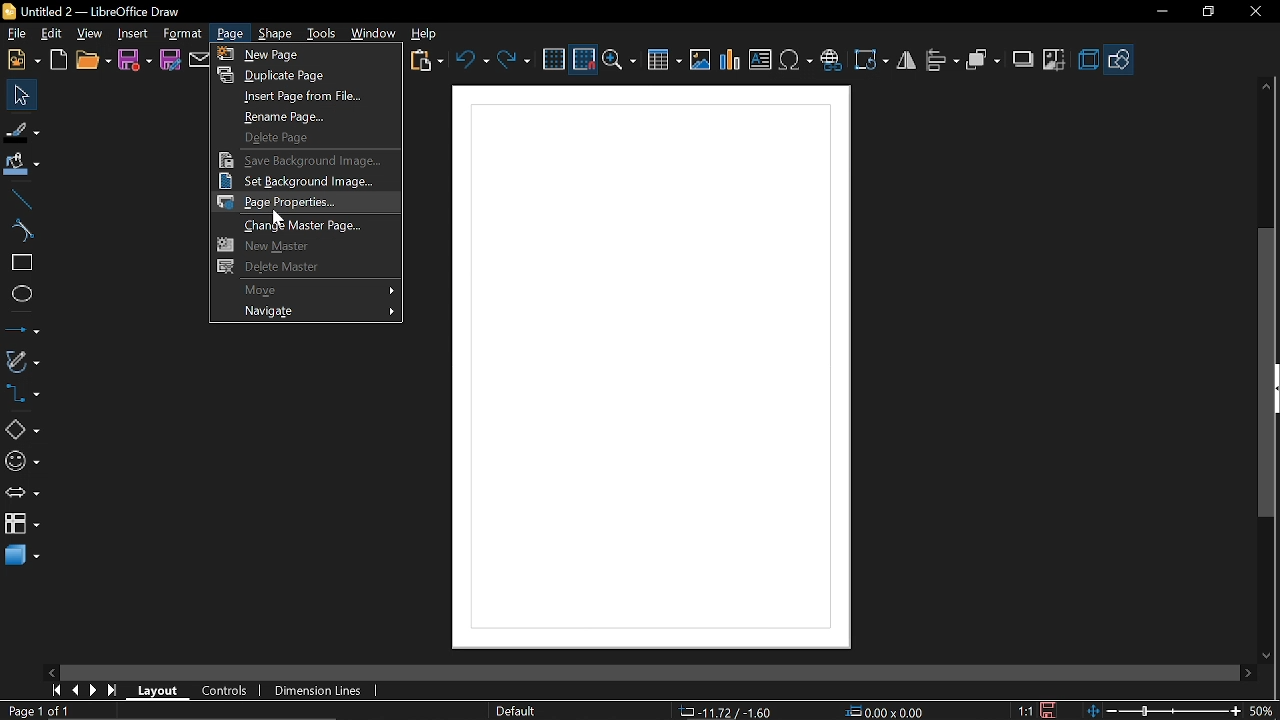 The width and height of the screenshot is (1280, 720). I want to click on Set background image, so click(302, 181).